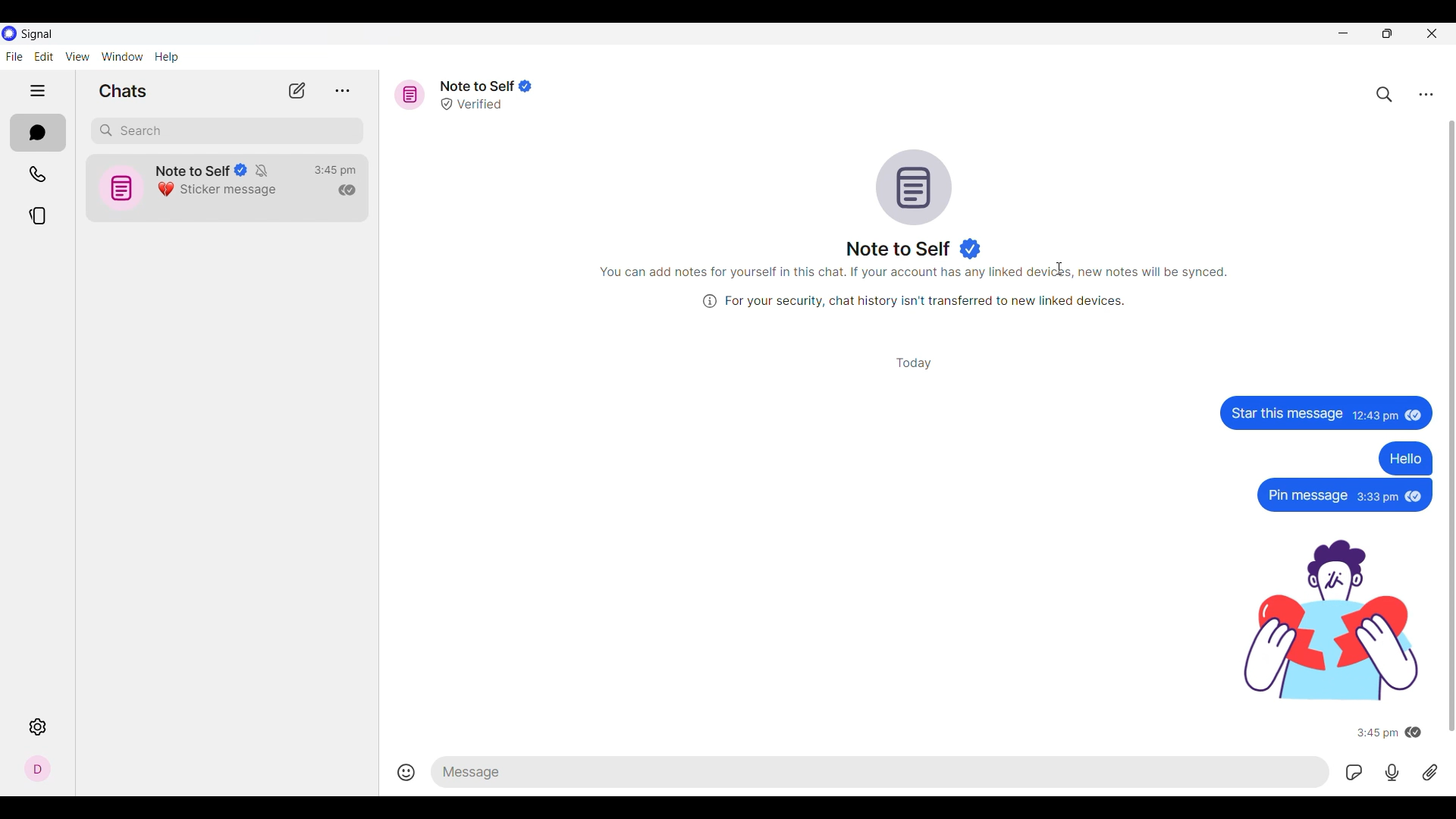 Image resolution: width=1456 pixels, height=819 pixels. What do you see at coordinates (1306, 495) in the screenshot?
I see `Pin message` at bounding box center [1306, 495].